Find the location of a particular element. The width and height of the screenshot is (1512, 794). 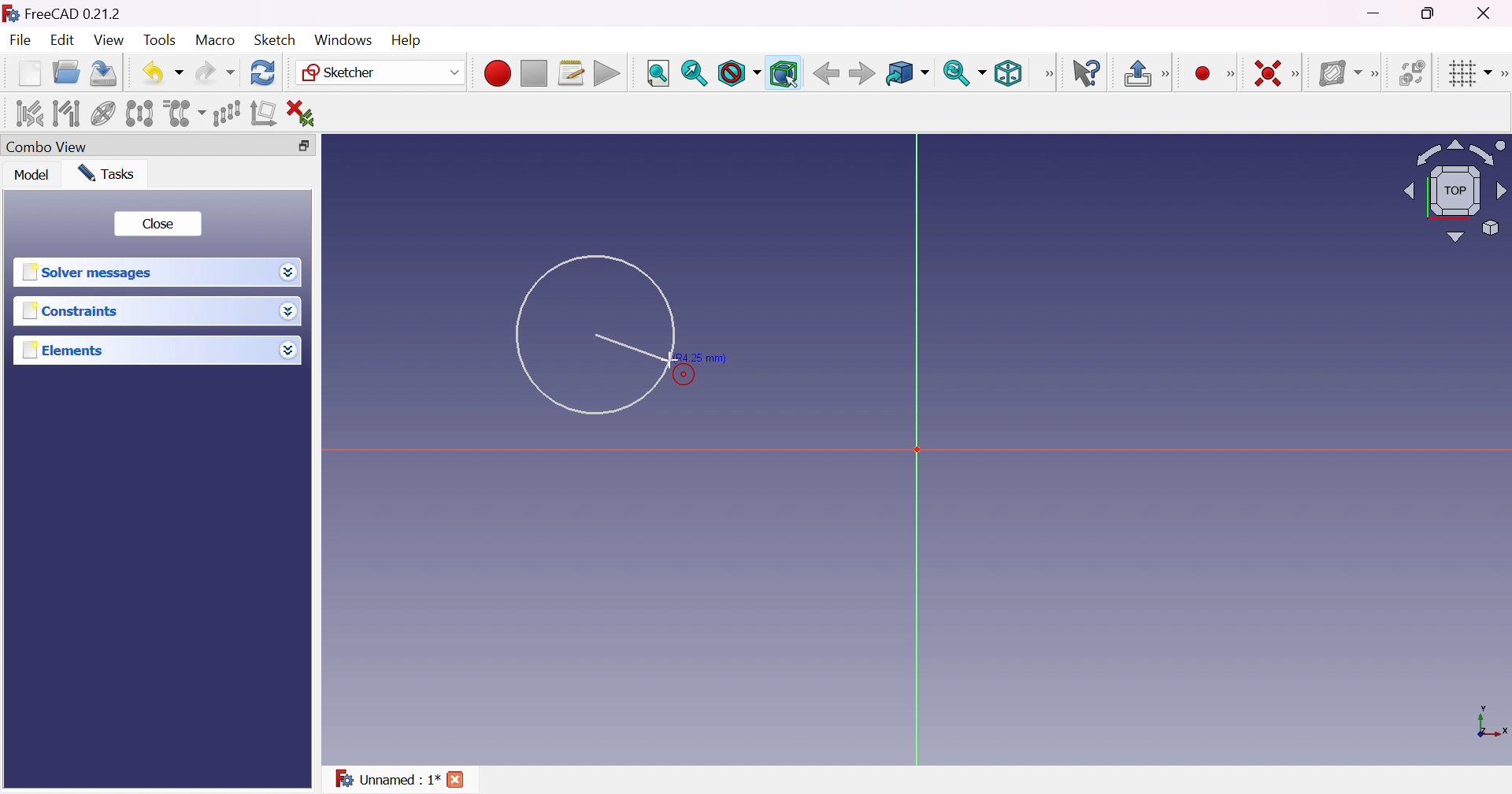

Unnamed : 1* is located at coordinates (386, 777).